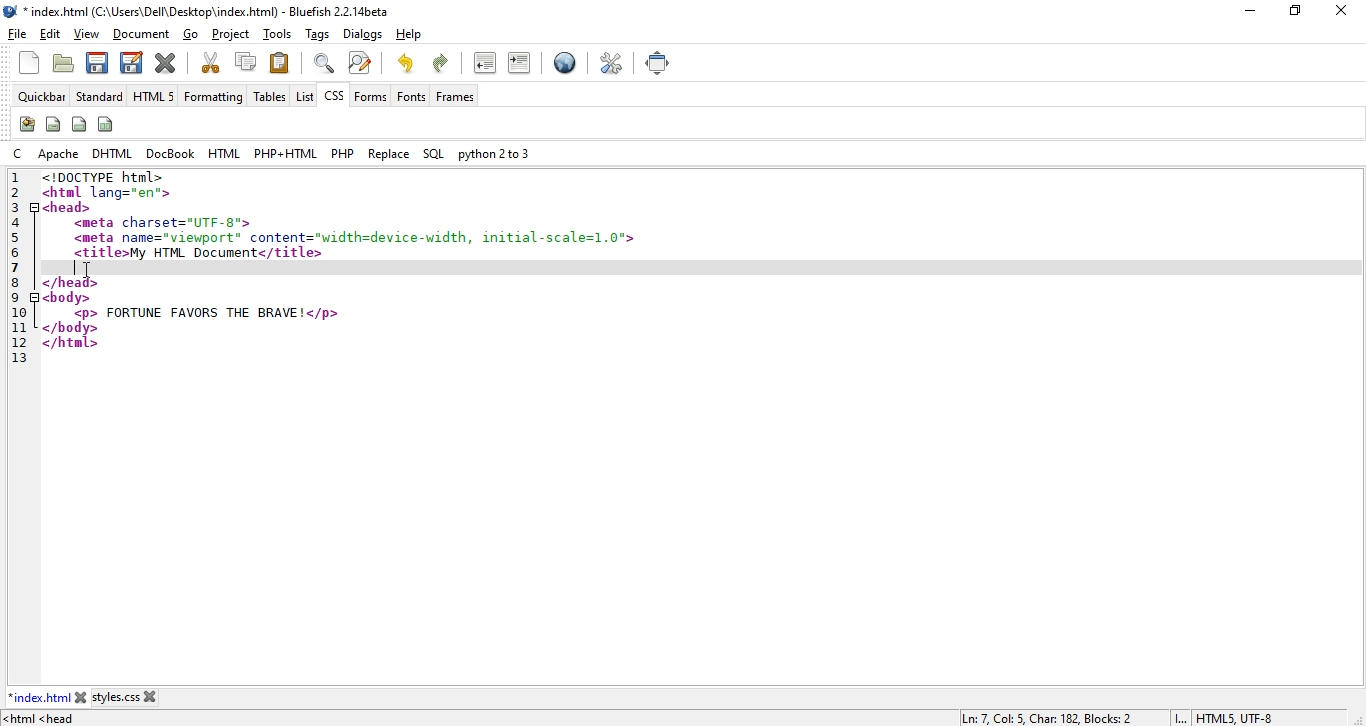 This screenshot has height=726, width=1366. What do you see at coordinates (150, 696) in the screenshot?
I see `close` at bounding box center [150, 696].